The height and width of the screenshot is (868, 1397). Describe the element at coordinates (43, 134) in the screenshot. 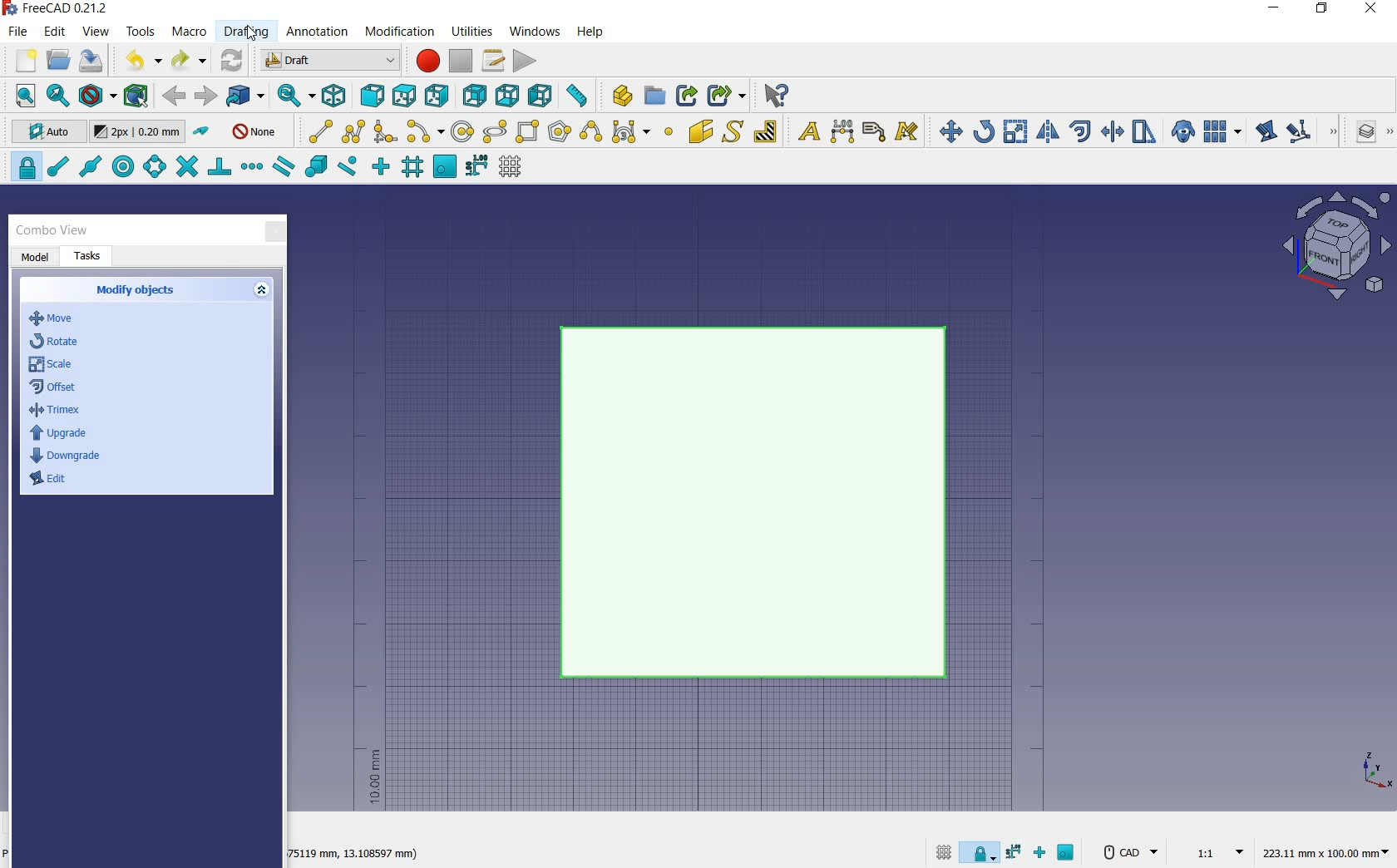

I see `current working plane: auto` at that location.